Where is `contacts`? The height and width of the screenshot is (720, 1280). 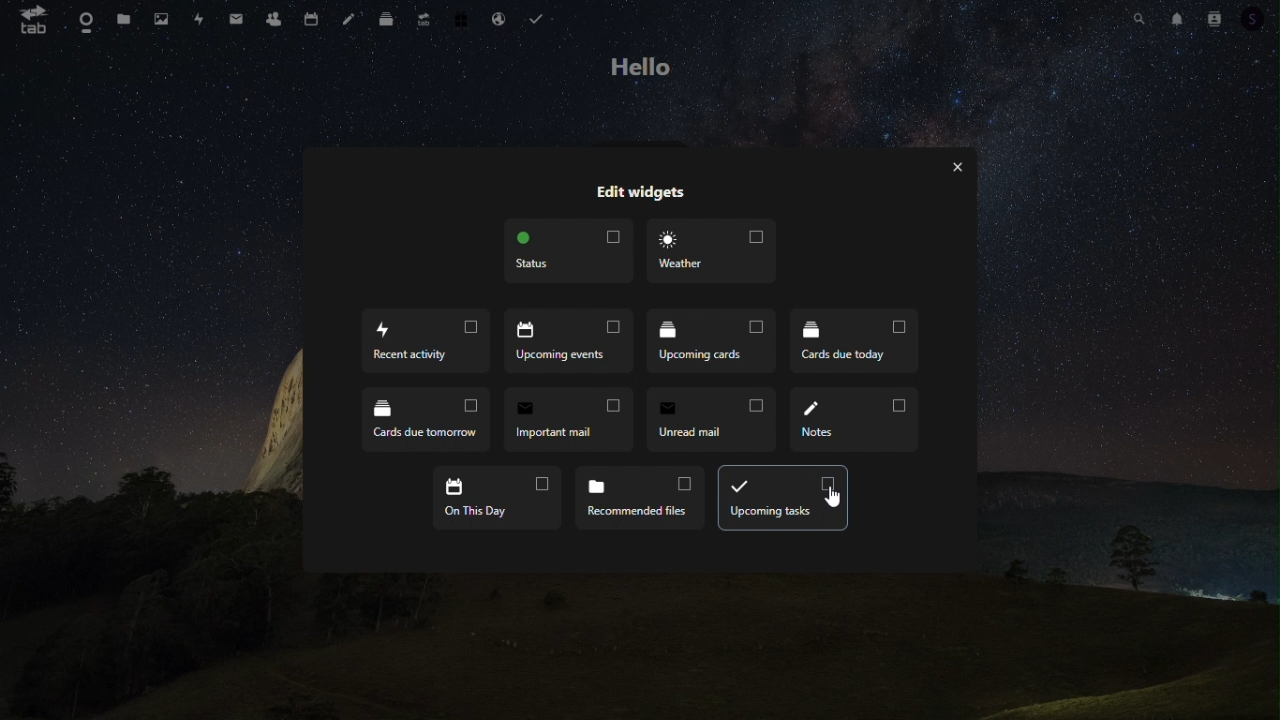
contacts is located at coordinates (271, 20).